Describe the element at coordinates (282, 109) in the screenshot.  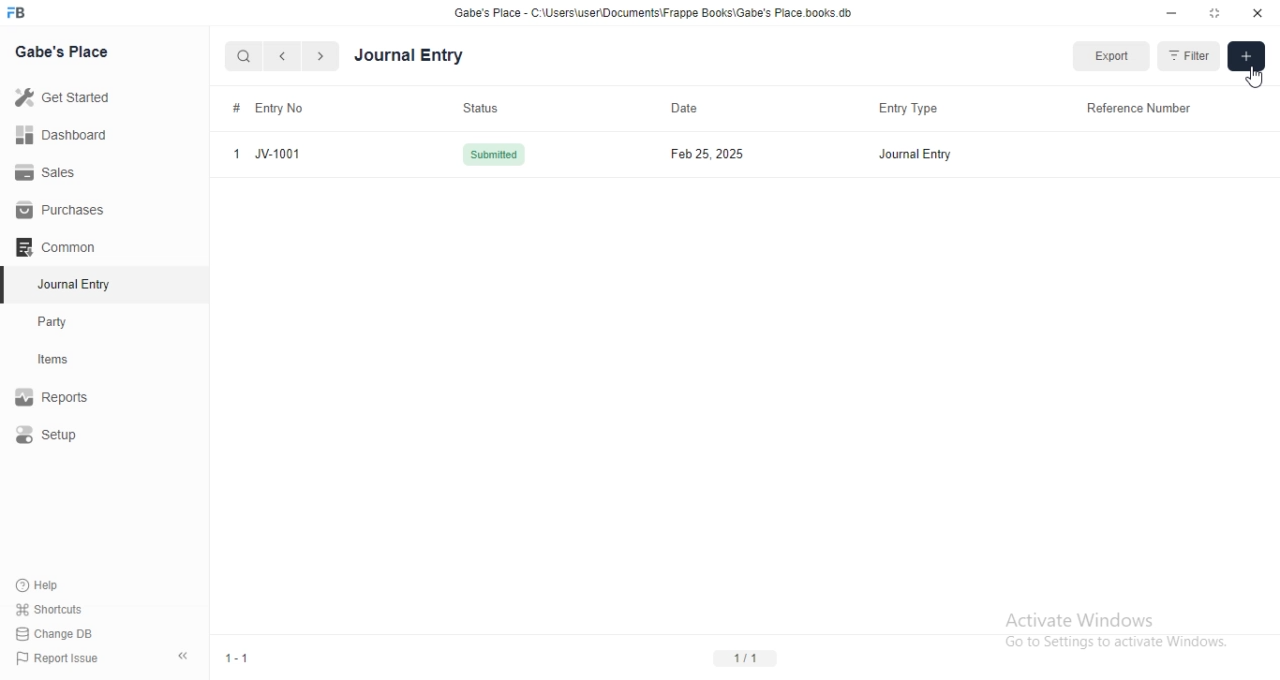
I see `Entry No` at that location.